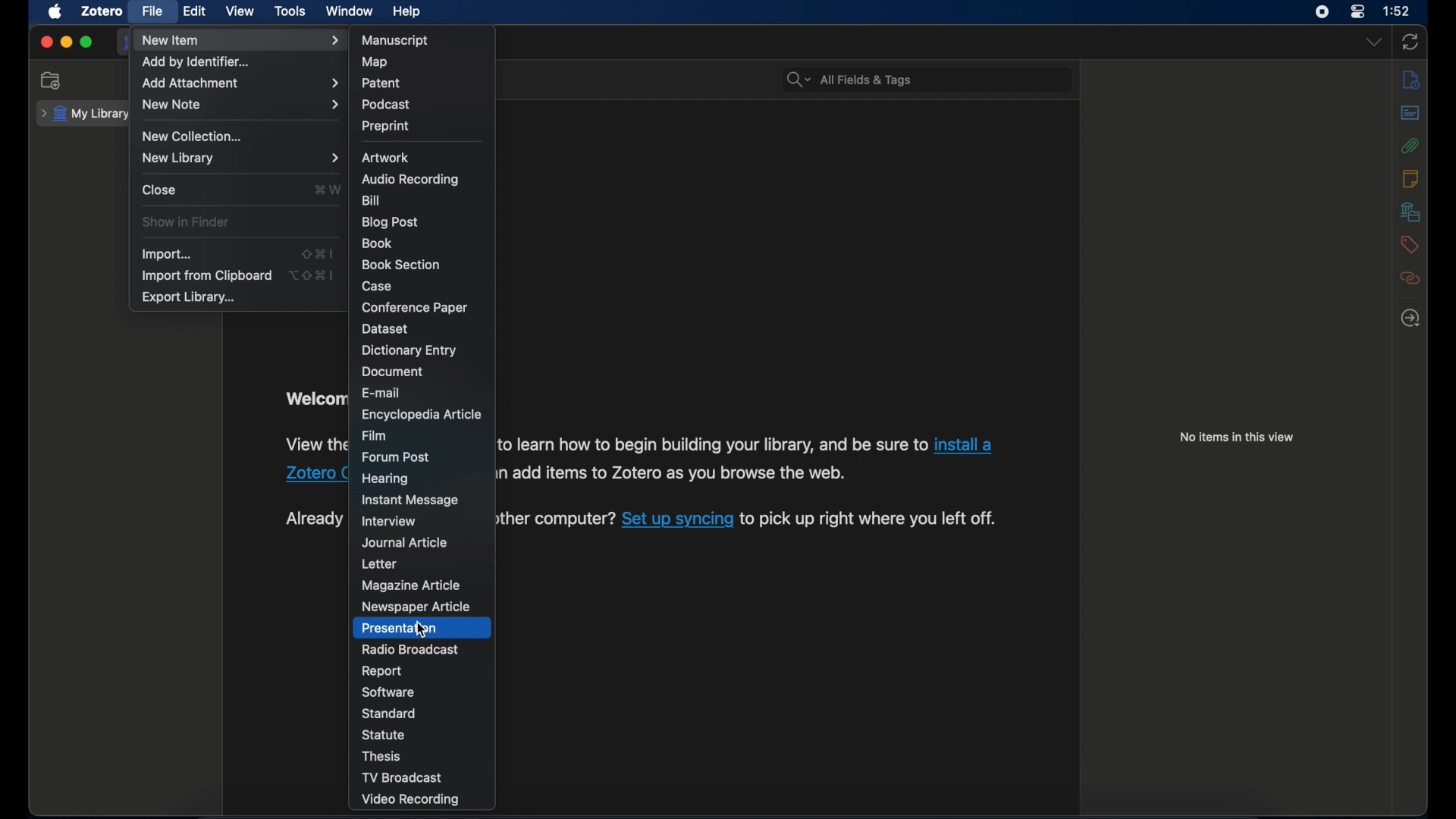 Image resolution: width=1456 pixels, height=819 pixels. What do you see at coordinates (385, 479) in the screenshot?
I see `hearing` at bounding box center [385, 479].